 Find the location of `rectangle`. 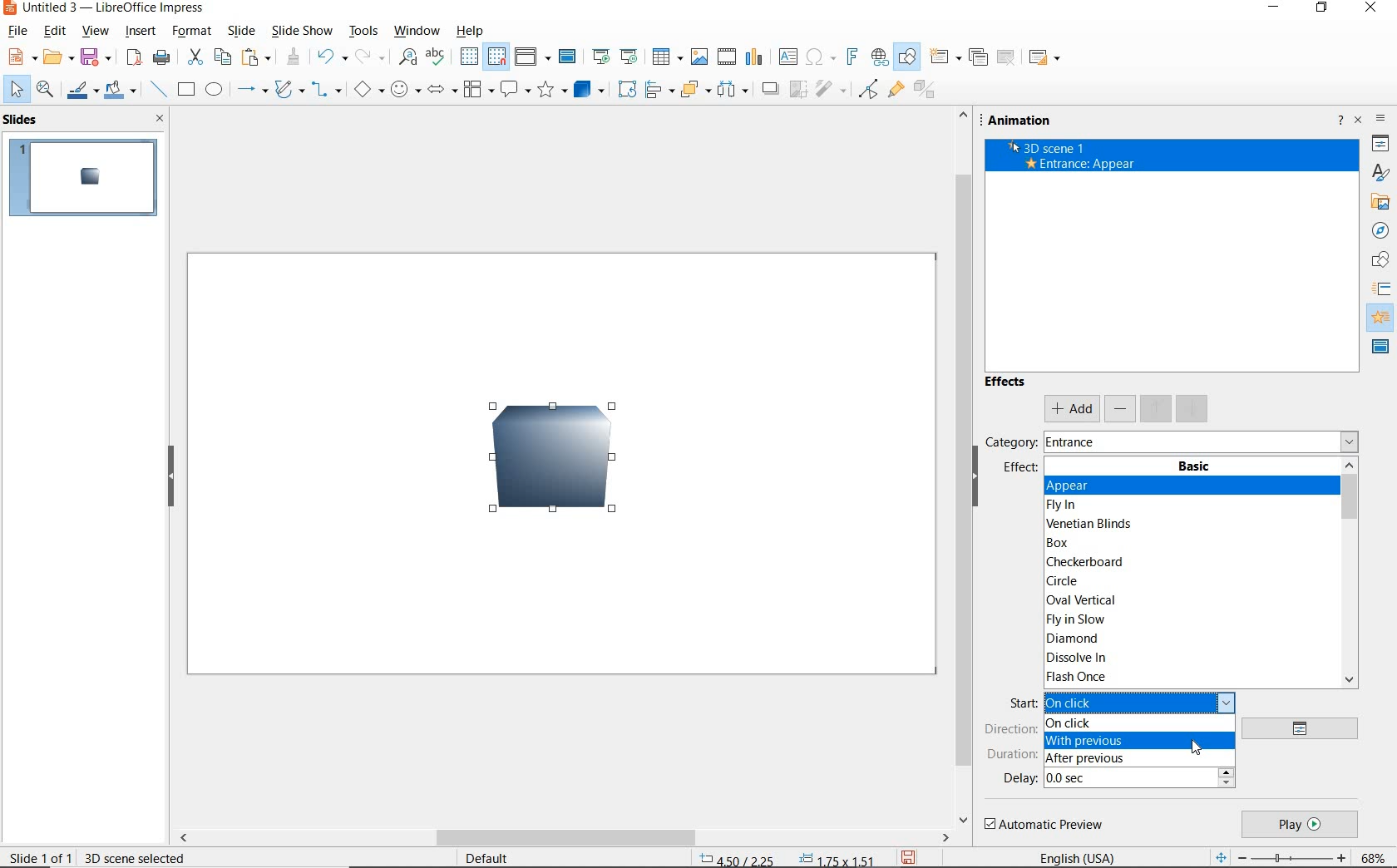

rectangle is located at coordinates (187, 91).